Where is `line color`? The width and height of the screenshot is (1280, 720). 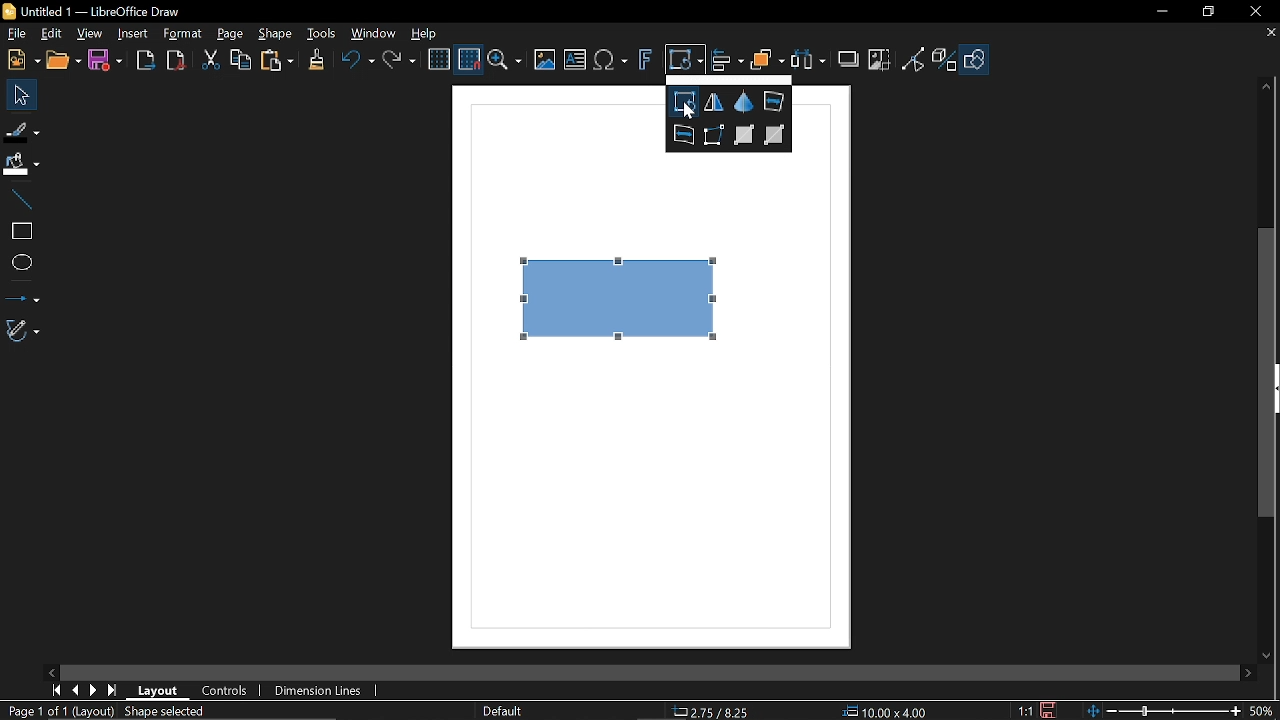 line color is located at coordinates (21, 128).